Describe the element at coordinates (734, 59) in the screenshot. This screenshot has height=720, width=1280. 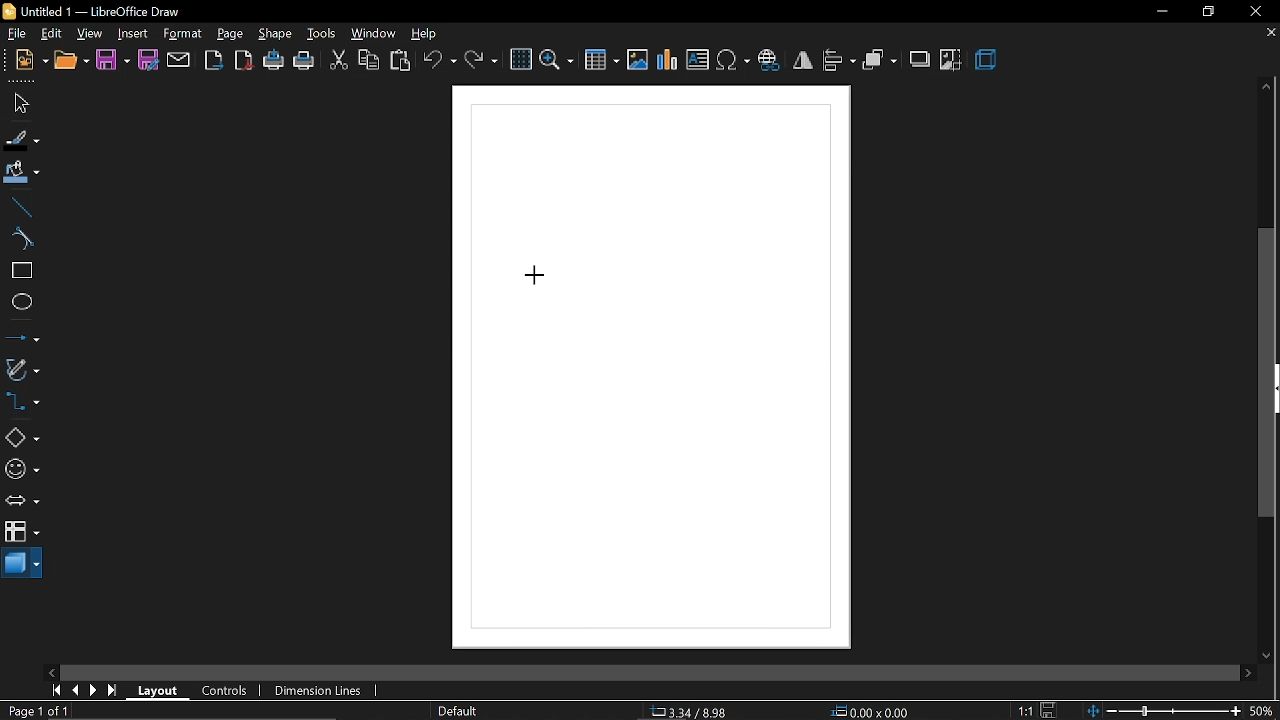
I see `insert symbol` at that location.